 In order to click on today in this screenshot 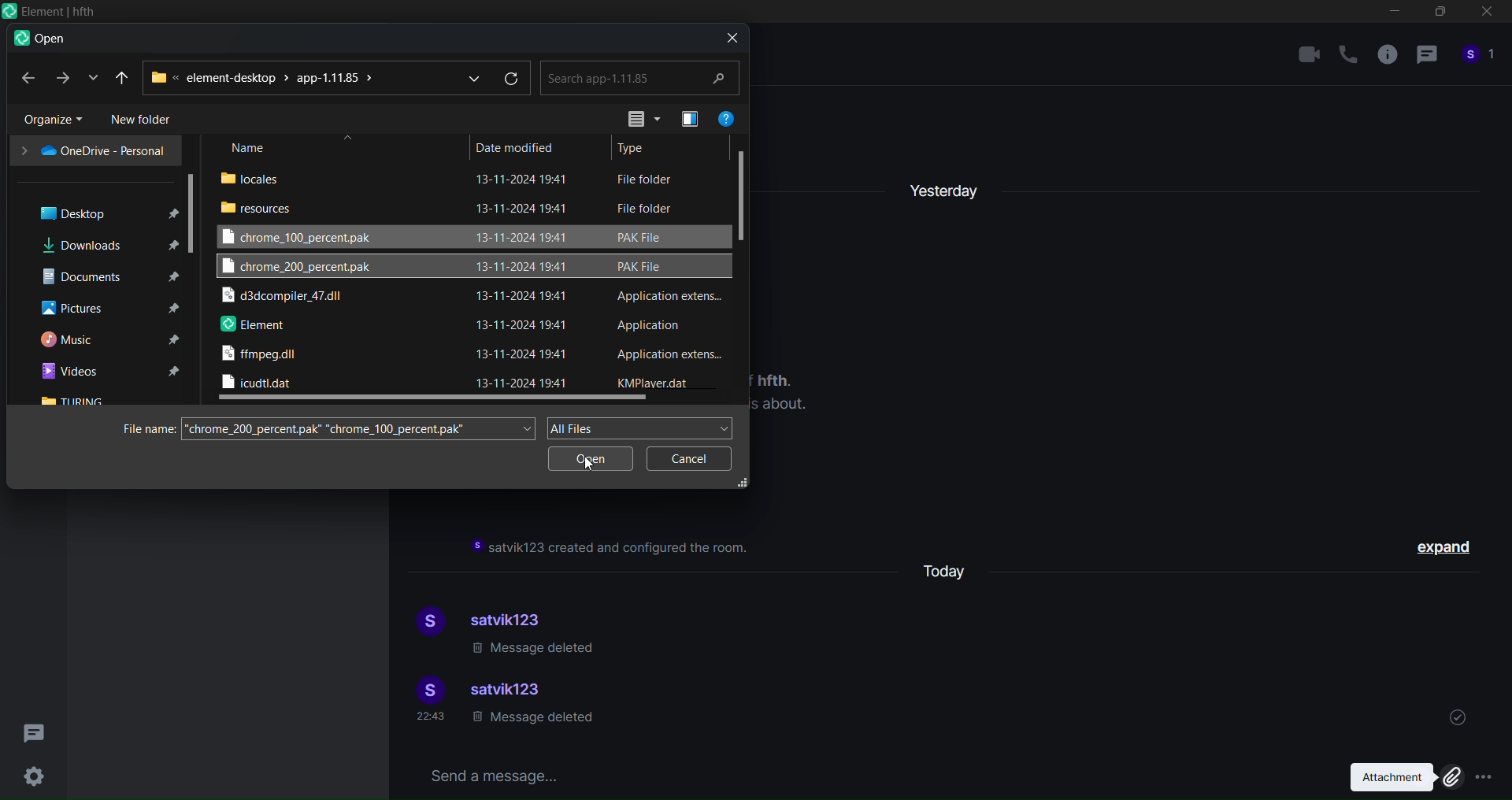, I will do `click(952, 569)`.